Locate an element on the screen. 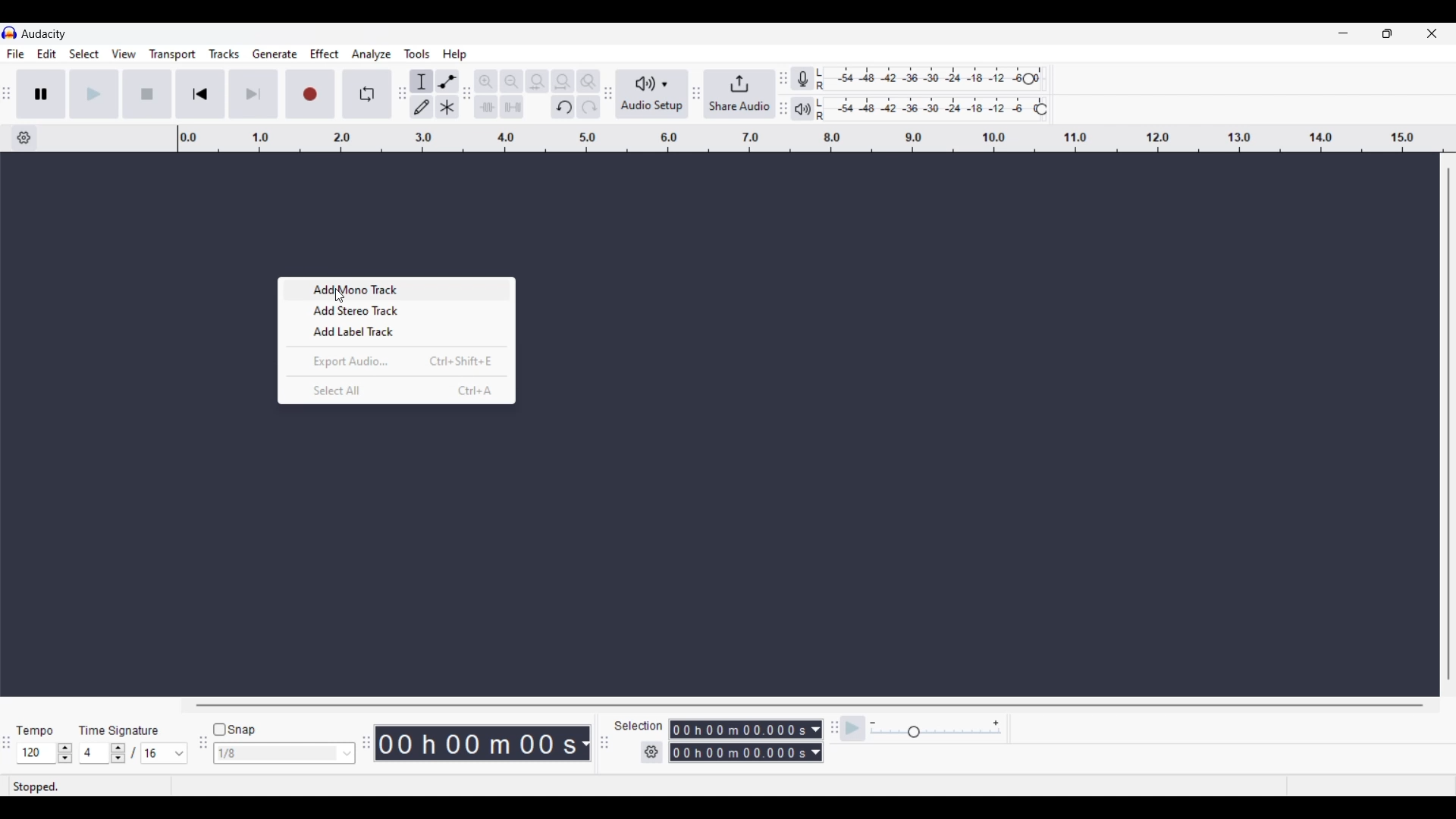 This screenshot has width=1456, height=819. Pause is located at coordinates (41, 93).